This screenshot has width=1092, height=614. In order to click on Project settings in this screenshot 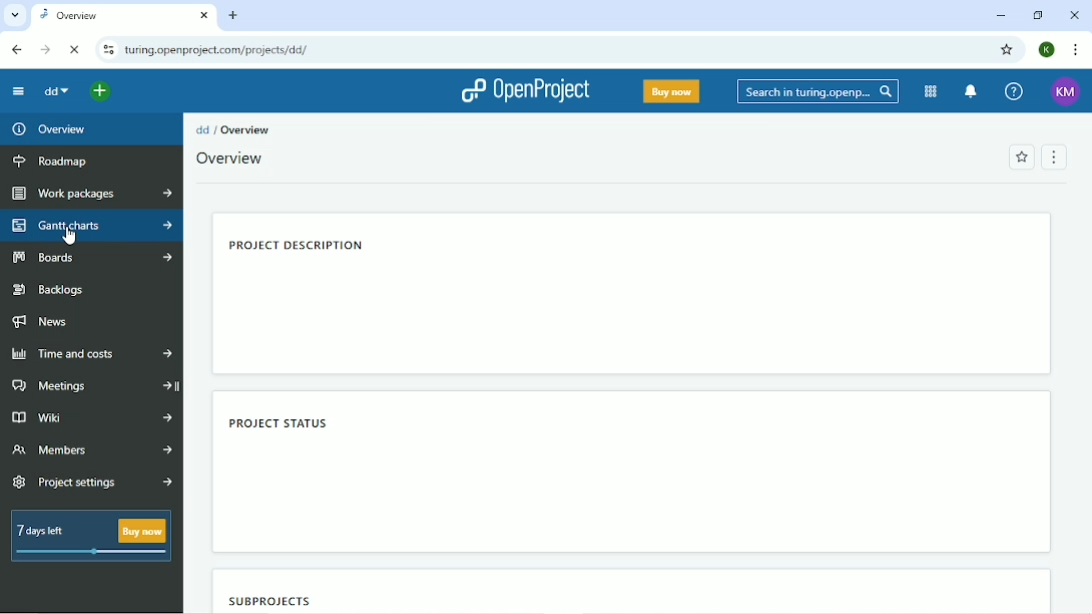, I will do `click(96, 482)`.